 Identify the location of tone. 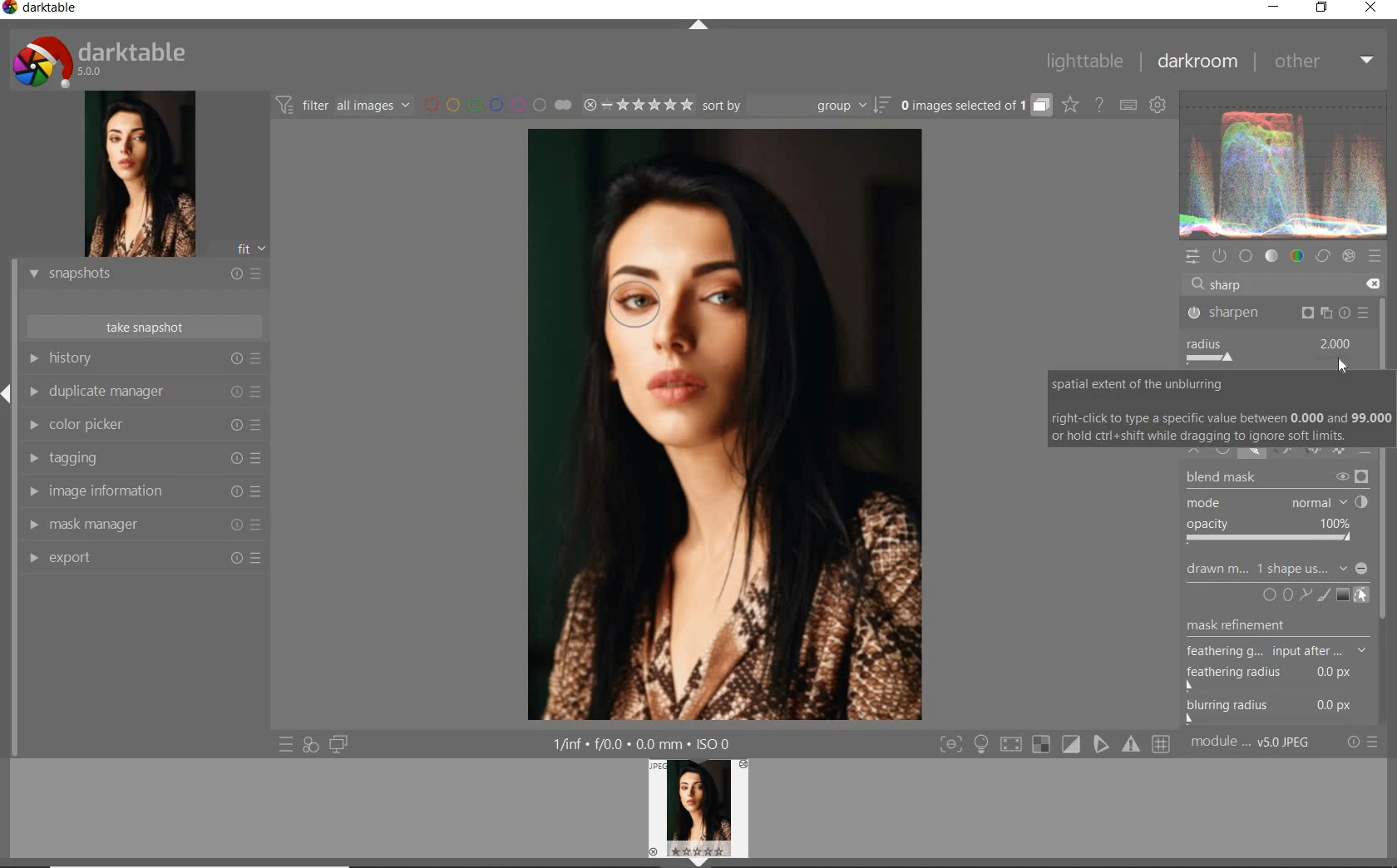
(1271, 256).